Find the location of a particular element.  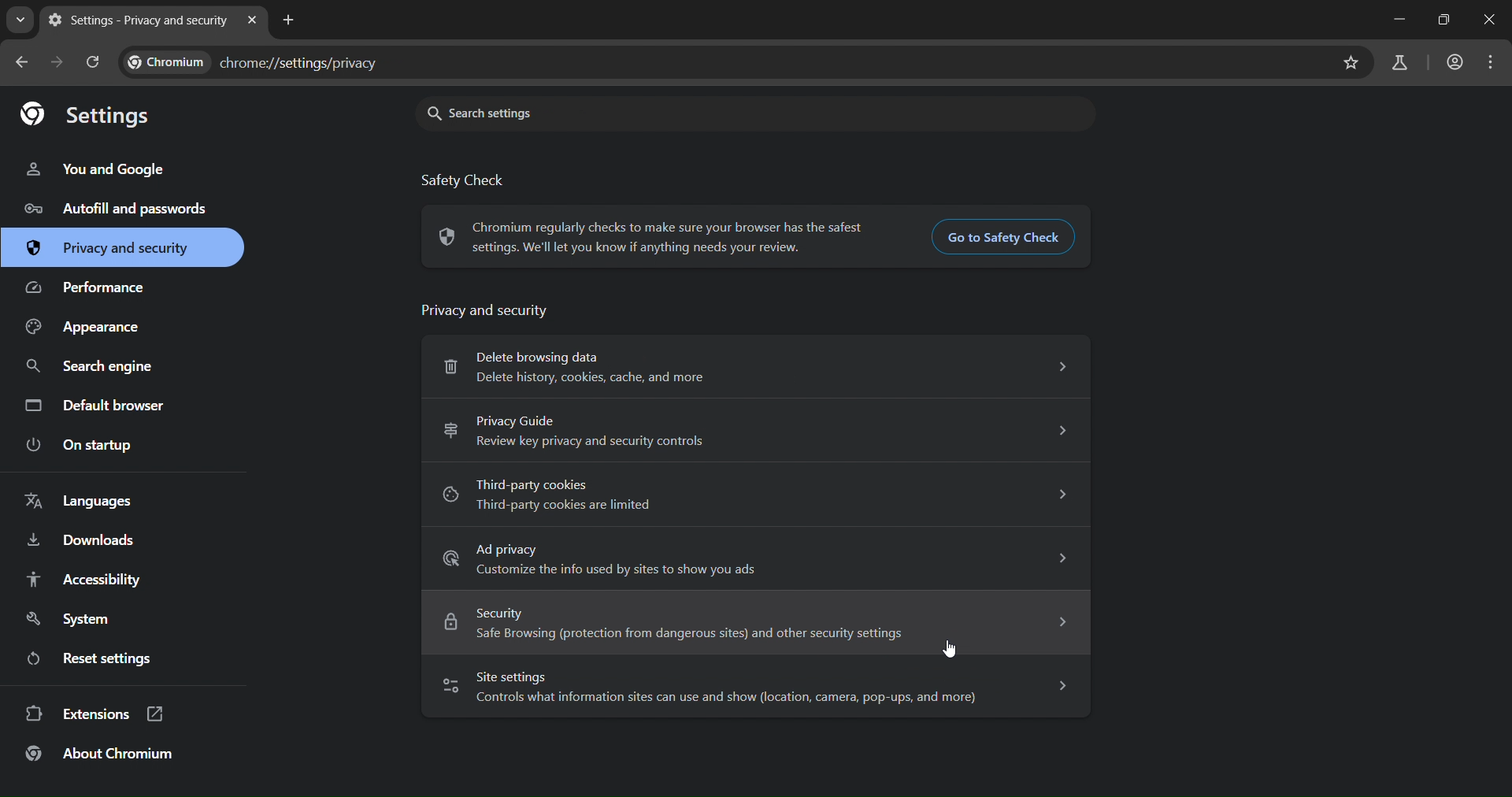

accessibility is located at coordinates (84, 579).